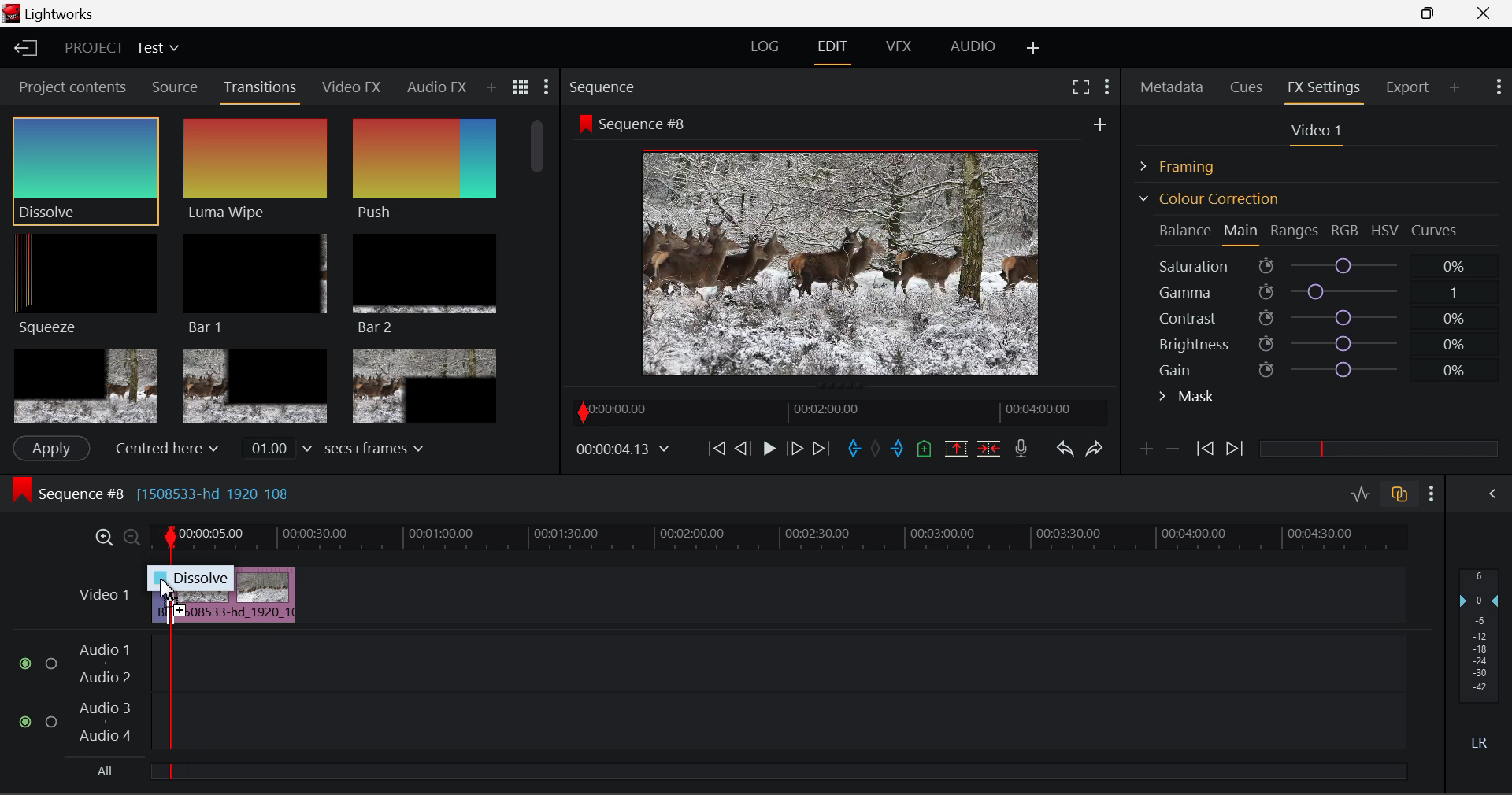  Describe the element at coordinates (131, 537) in the screenshot. I see `Timeline Zoom Out` at that location.